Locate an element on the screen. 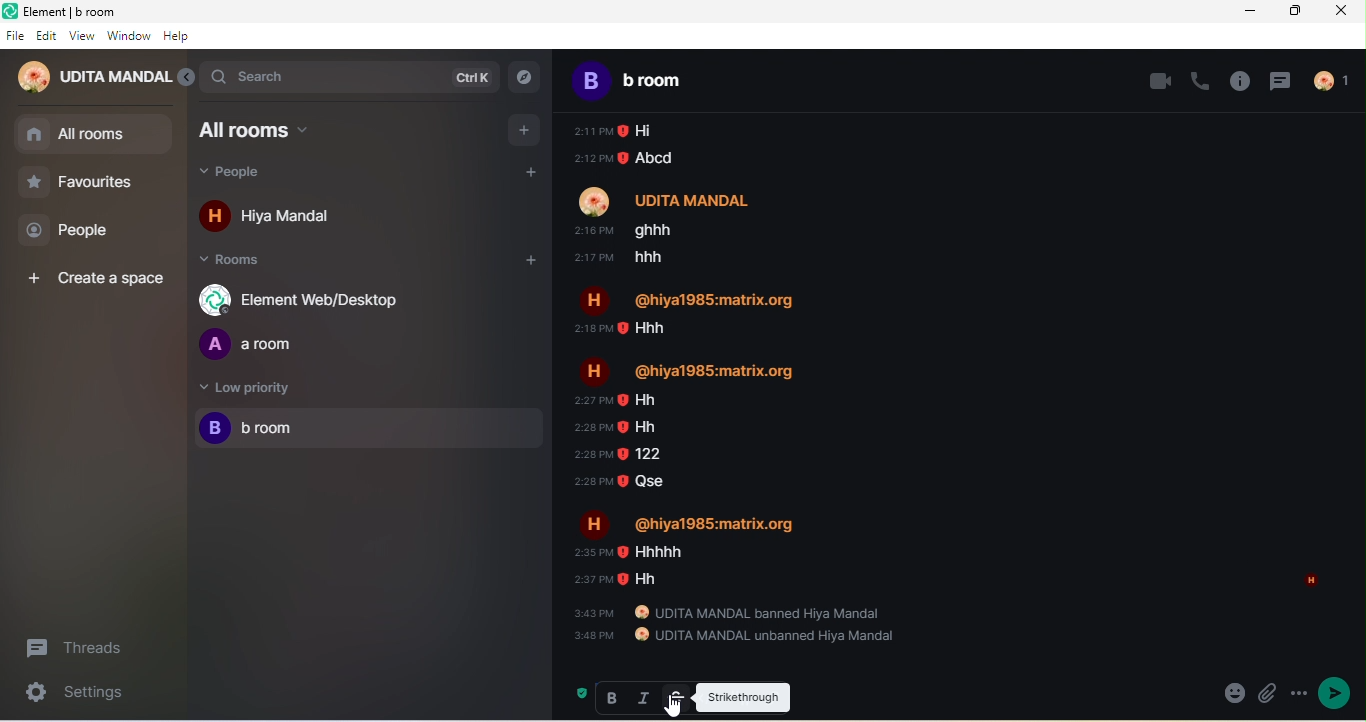 Image resolution: width=1366 pixels, height=722 pixels. add people is located at coordinates (536, 175).